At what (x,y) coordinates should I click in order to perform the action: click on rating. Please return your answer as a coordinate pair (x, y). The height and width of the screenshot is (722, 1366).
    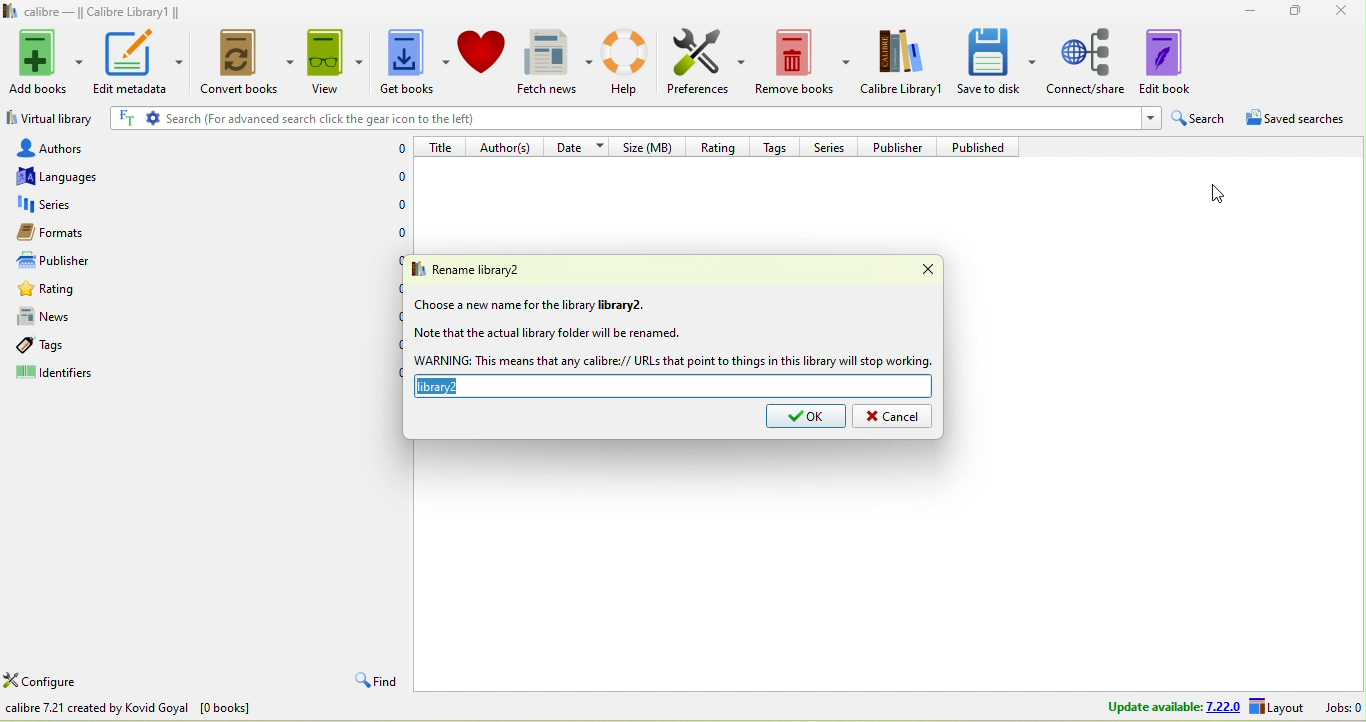
    Looking at the image, I should click on (716, 145).